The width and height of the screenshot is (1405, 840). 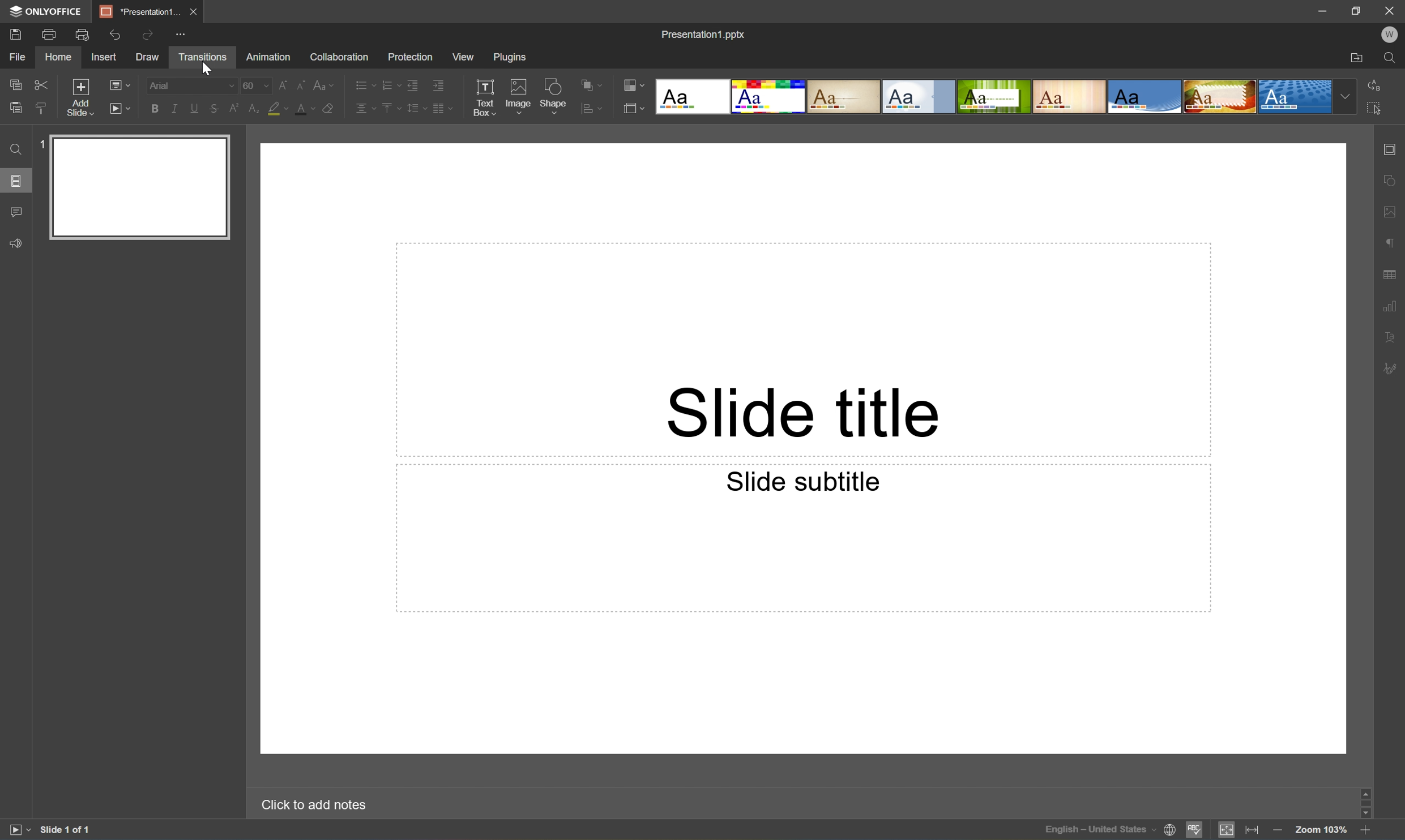 What do you see at coordinates (175, 109) in the screenshot?
I see `Italic` at bounding box center [175, 109].